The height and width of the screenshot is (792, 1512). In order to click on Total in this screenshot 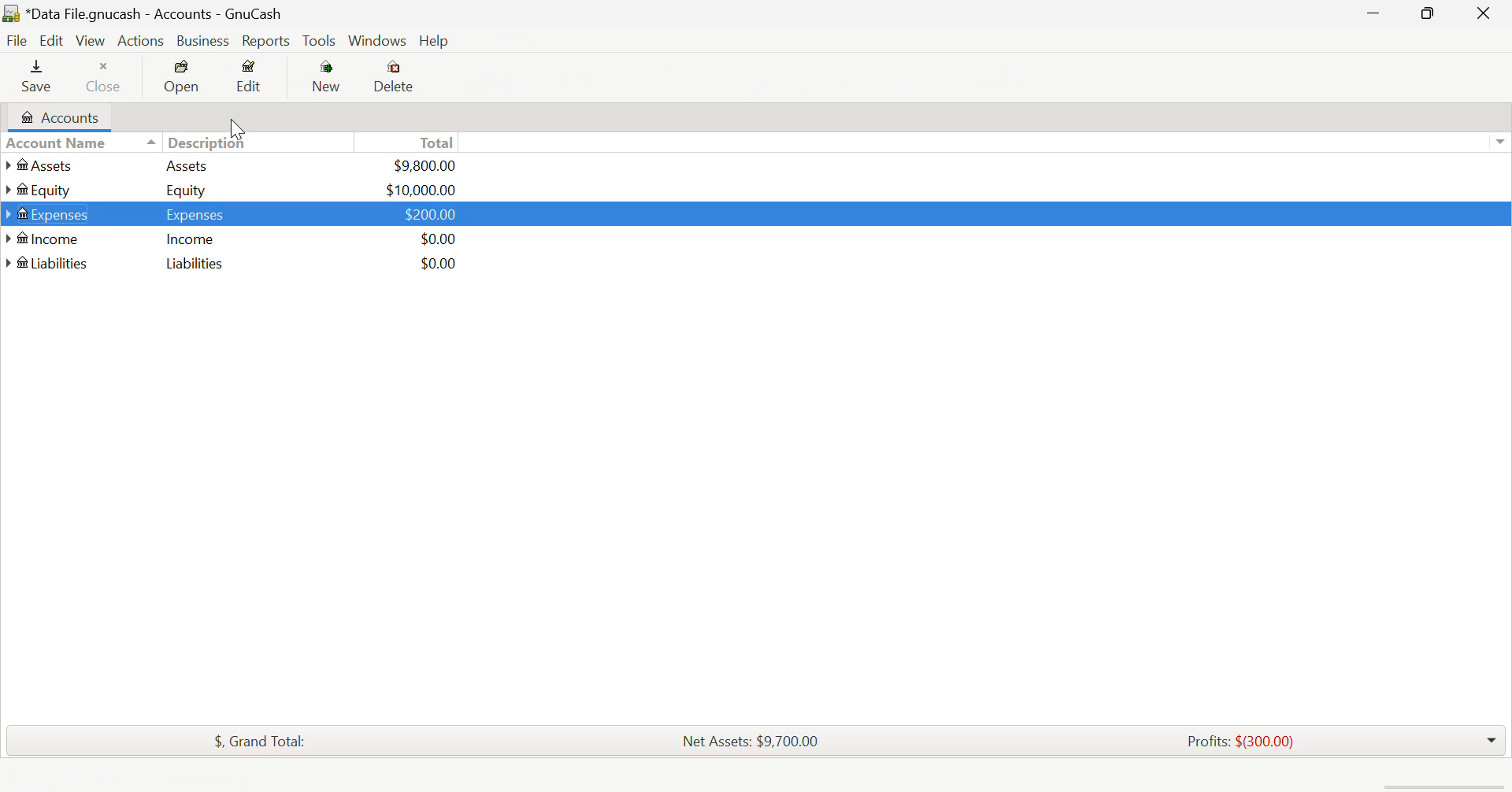, I will do `click(415, 142)`.